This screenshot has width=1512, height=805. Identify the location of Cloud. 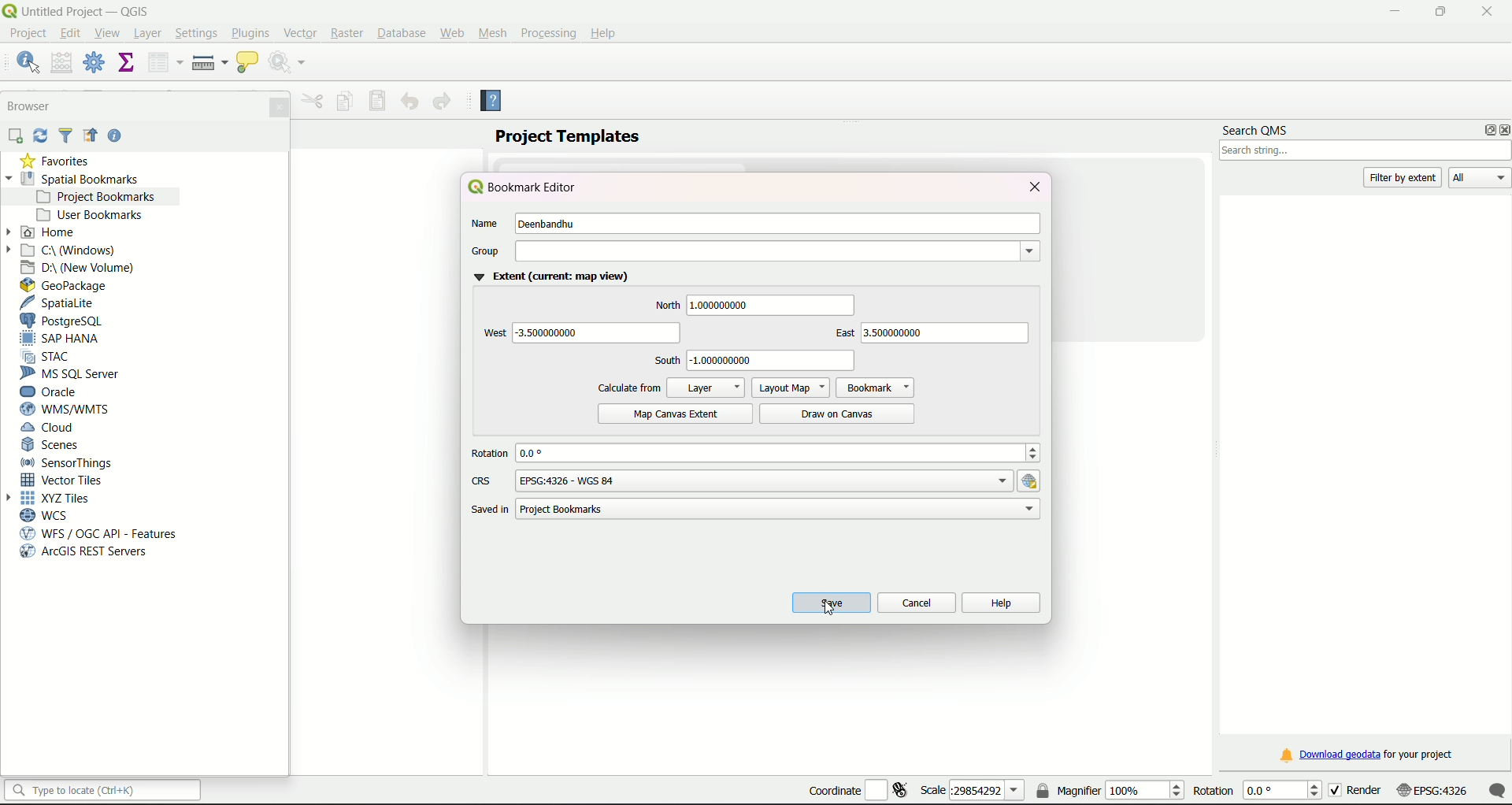
(49, 428).